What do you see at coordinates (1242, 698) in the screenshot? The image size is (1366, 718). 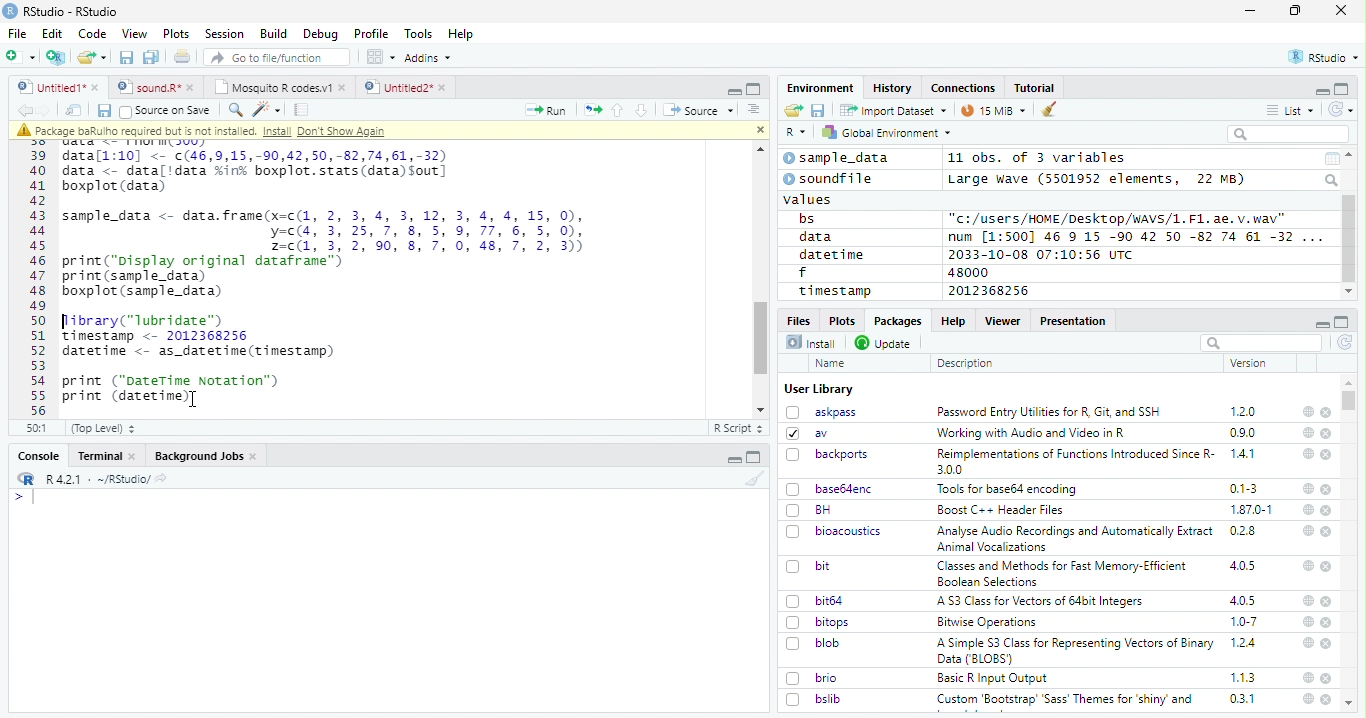 I see `0.3.1` at bounding box center [1242, 698].